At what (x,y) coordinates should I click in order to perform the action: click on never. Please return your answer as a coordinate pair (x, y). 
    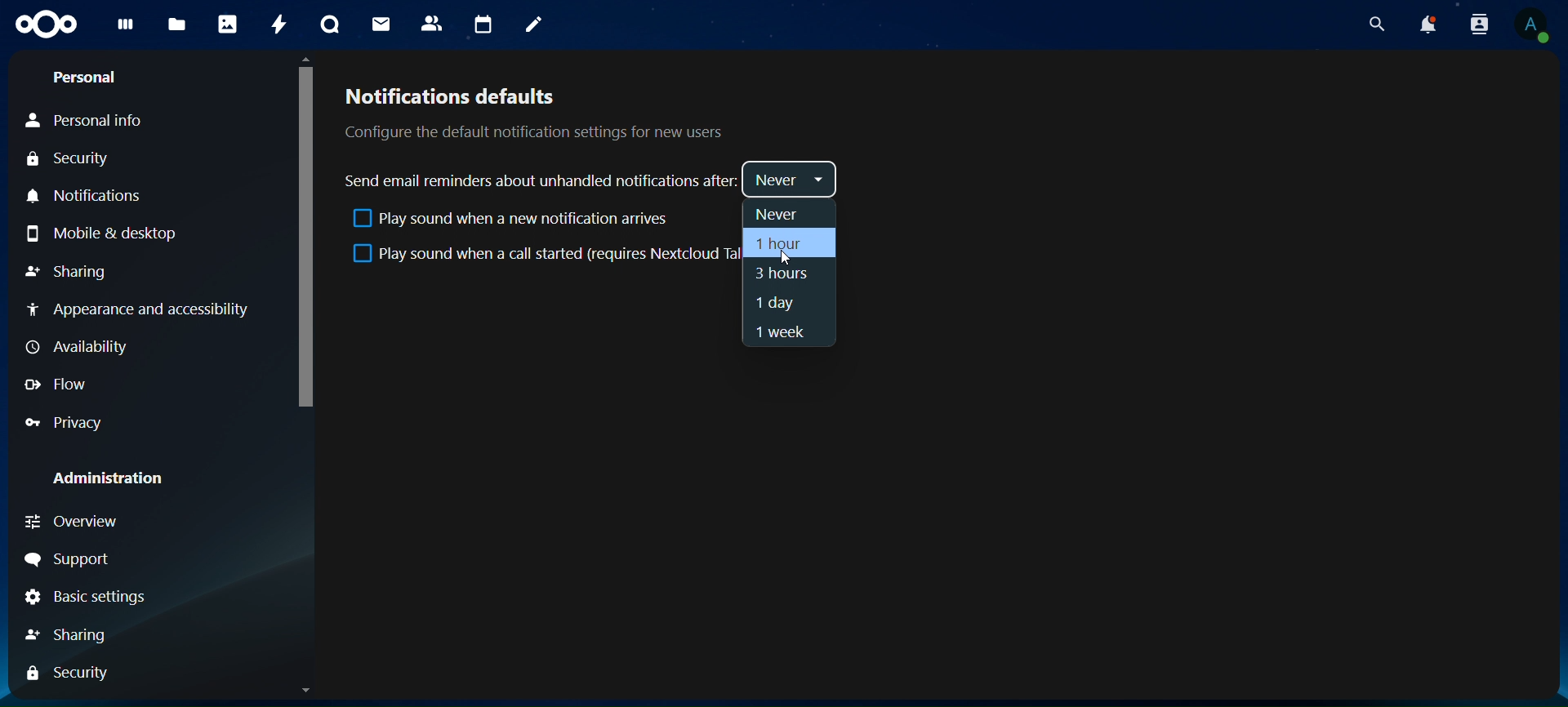
    Looking at the image, I should click on (791, 180).